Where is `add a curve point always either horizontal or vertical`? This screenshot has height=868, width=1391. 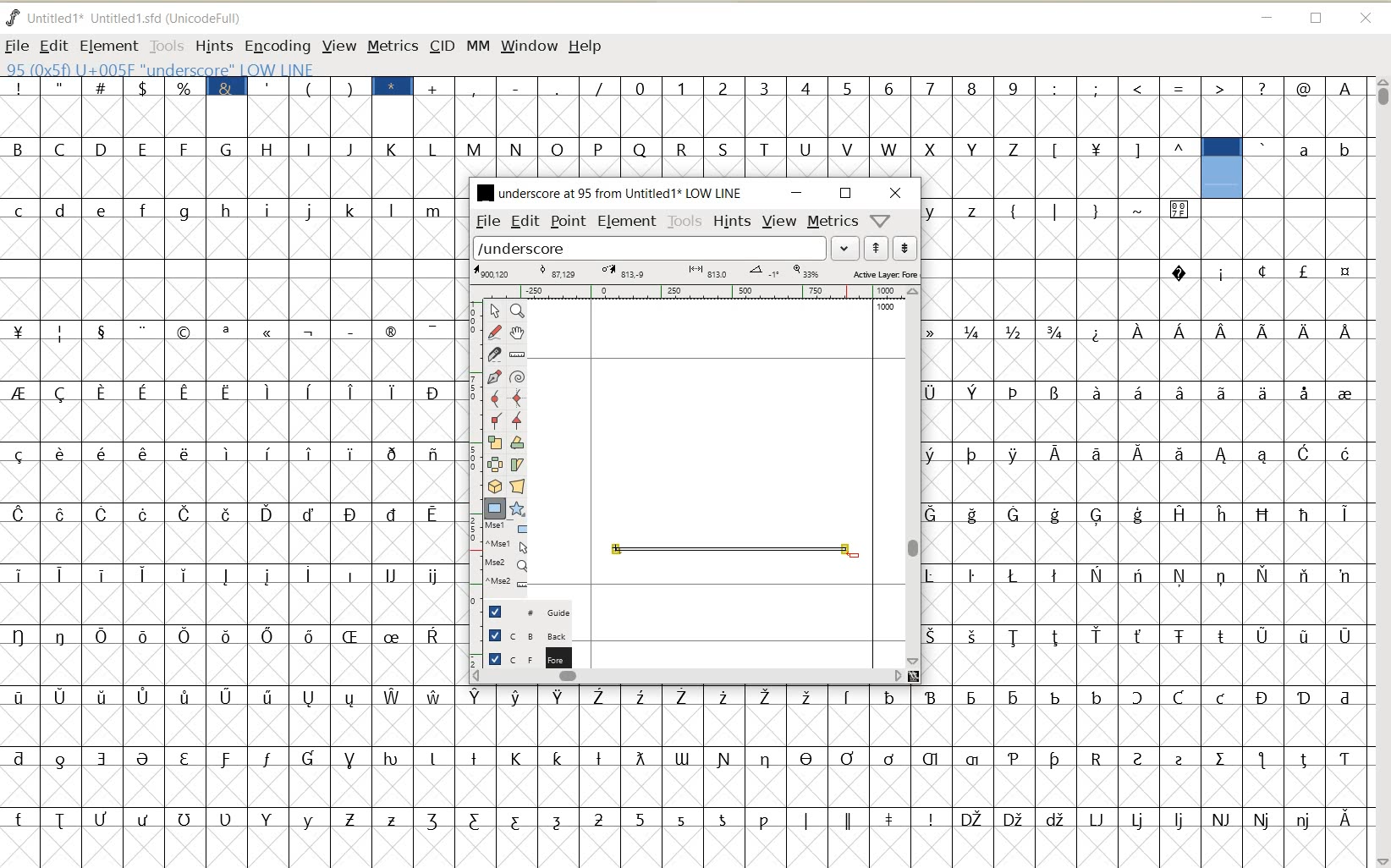
add a curve point always either horizontal or vertical is located at coordinates (518, 397).